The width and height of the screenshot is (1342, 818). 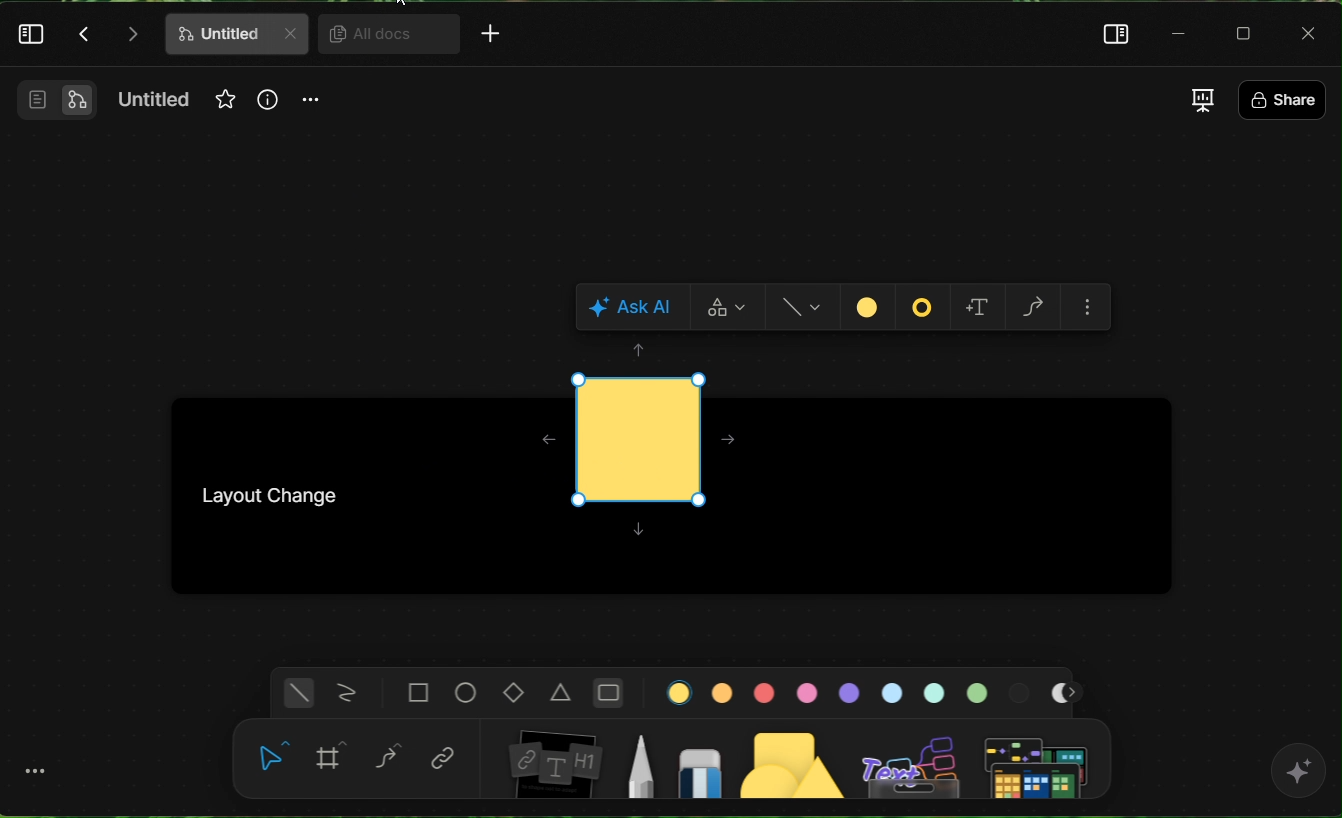 I want to click on input element, so click(x=1042, y=760).